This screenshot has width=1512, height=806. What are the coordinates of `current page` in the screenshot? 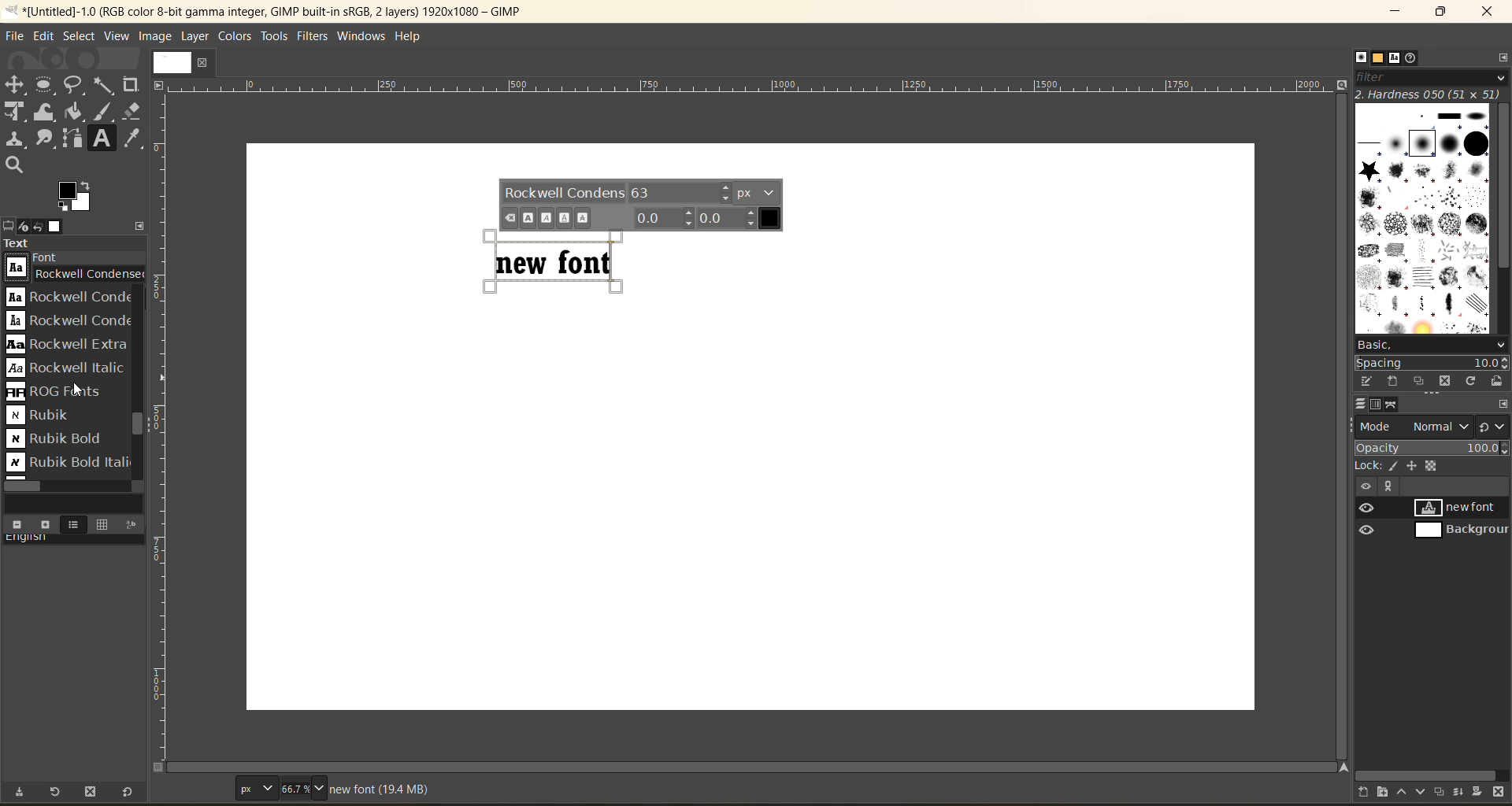 It's located at (183, 61).